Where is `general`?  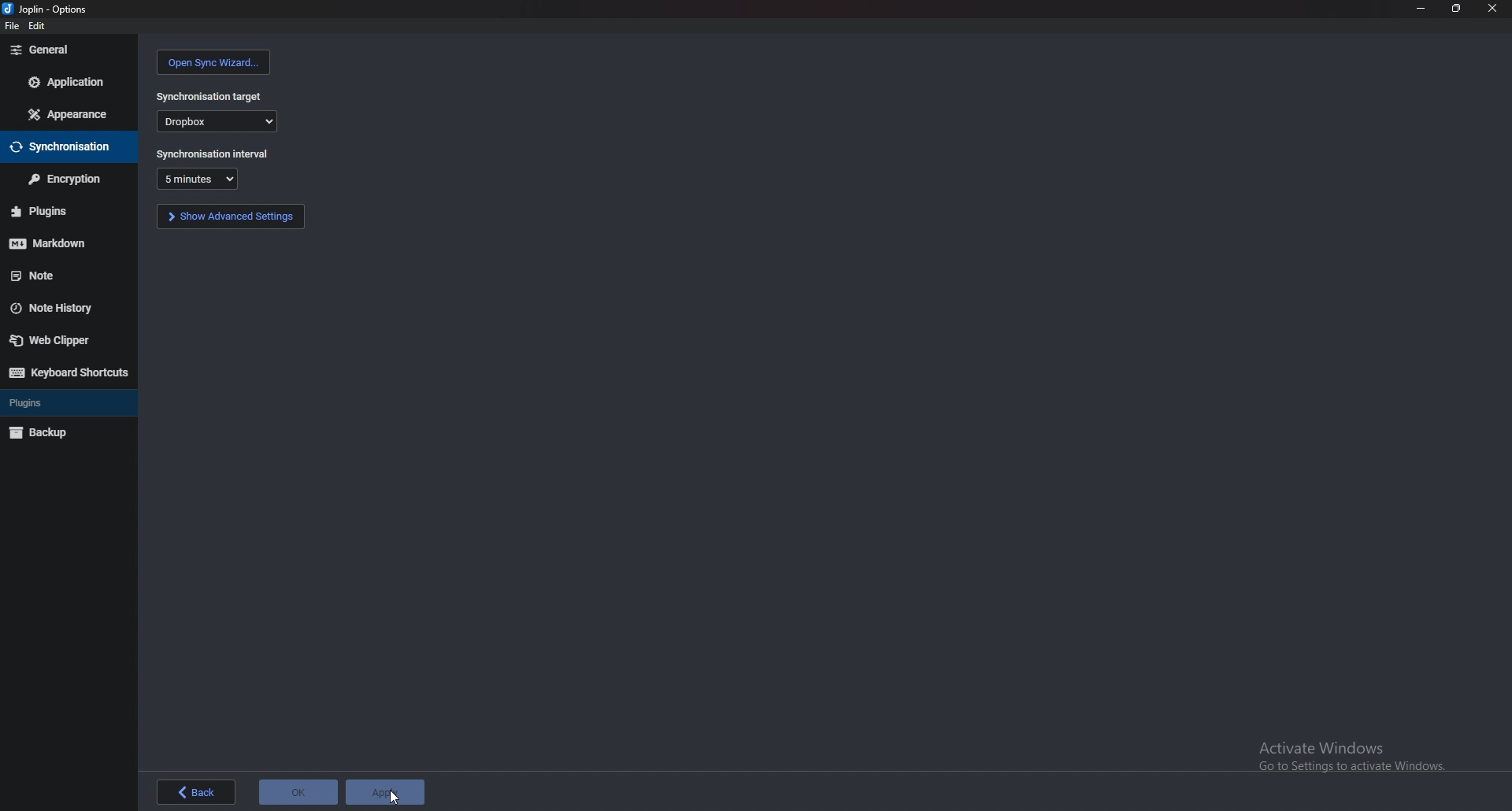
general is located at coordinates (72, 50).